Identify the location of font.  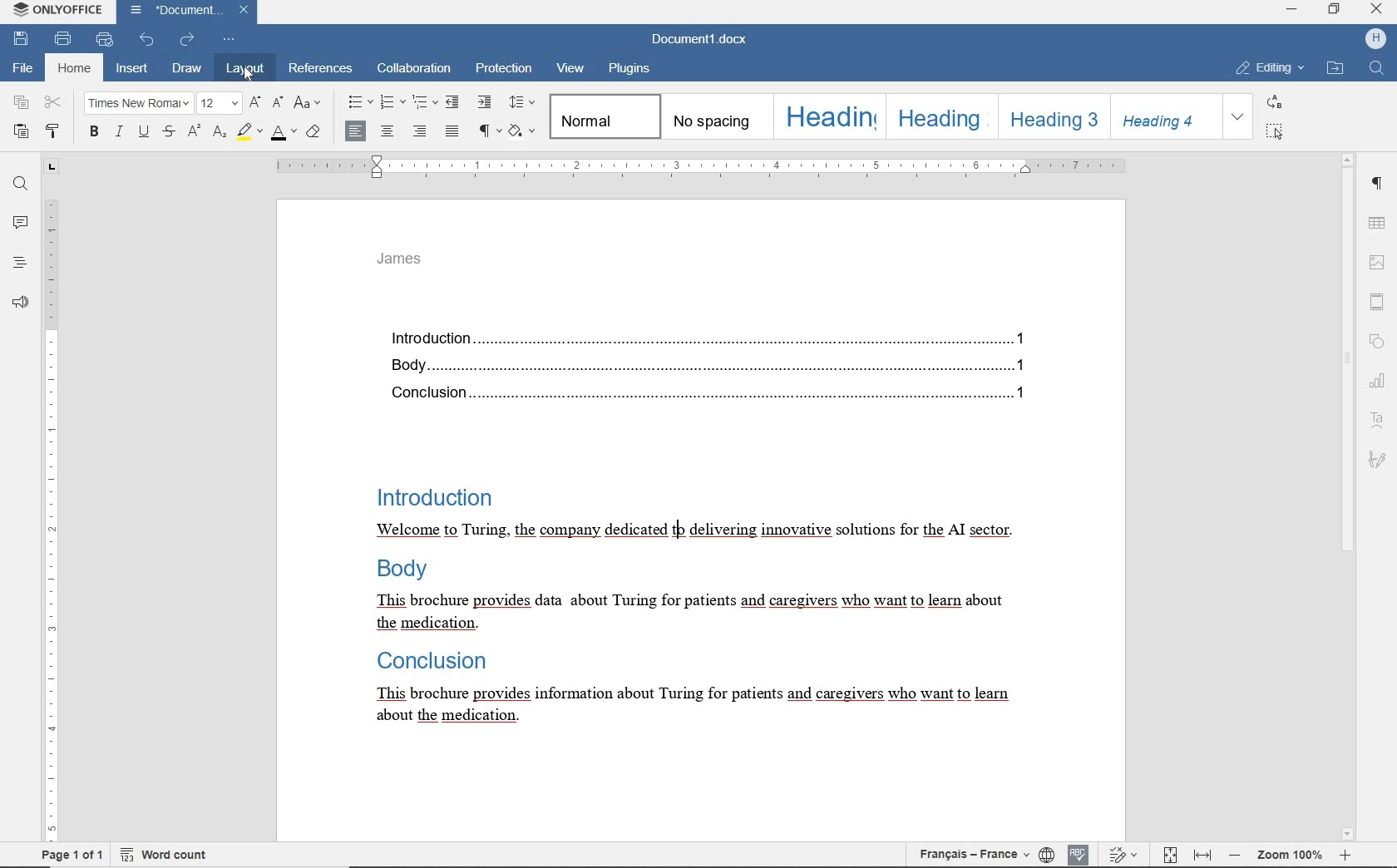
(137, 105).